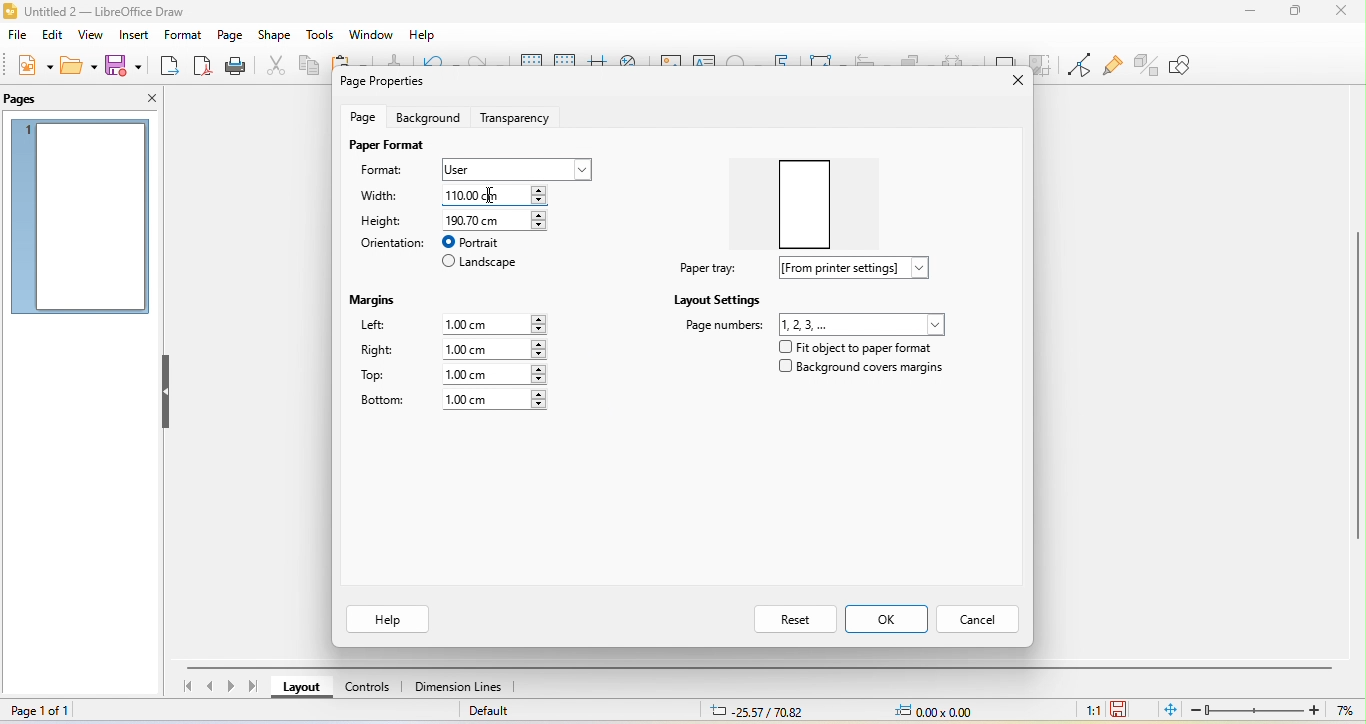 This screenshot has height=724, width=1366. Describe the element at coordinates (132, 36) in the screenshot. I see `insert` at that location.